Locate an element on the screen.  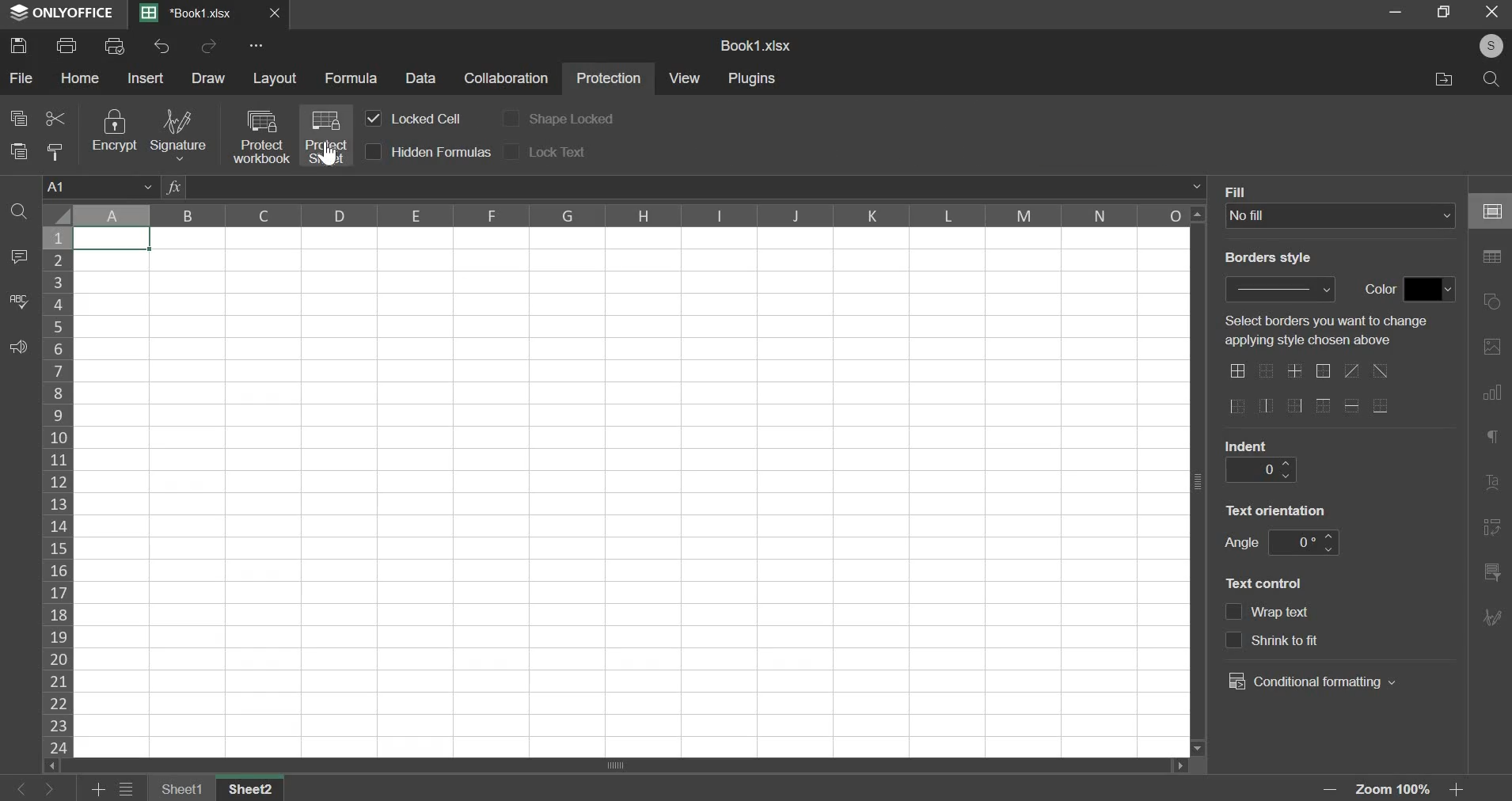
copy style is located at coordinates (57, 152).